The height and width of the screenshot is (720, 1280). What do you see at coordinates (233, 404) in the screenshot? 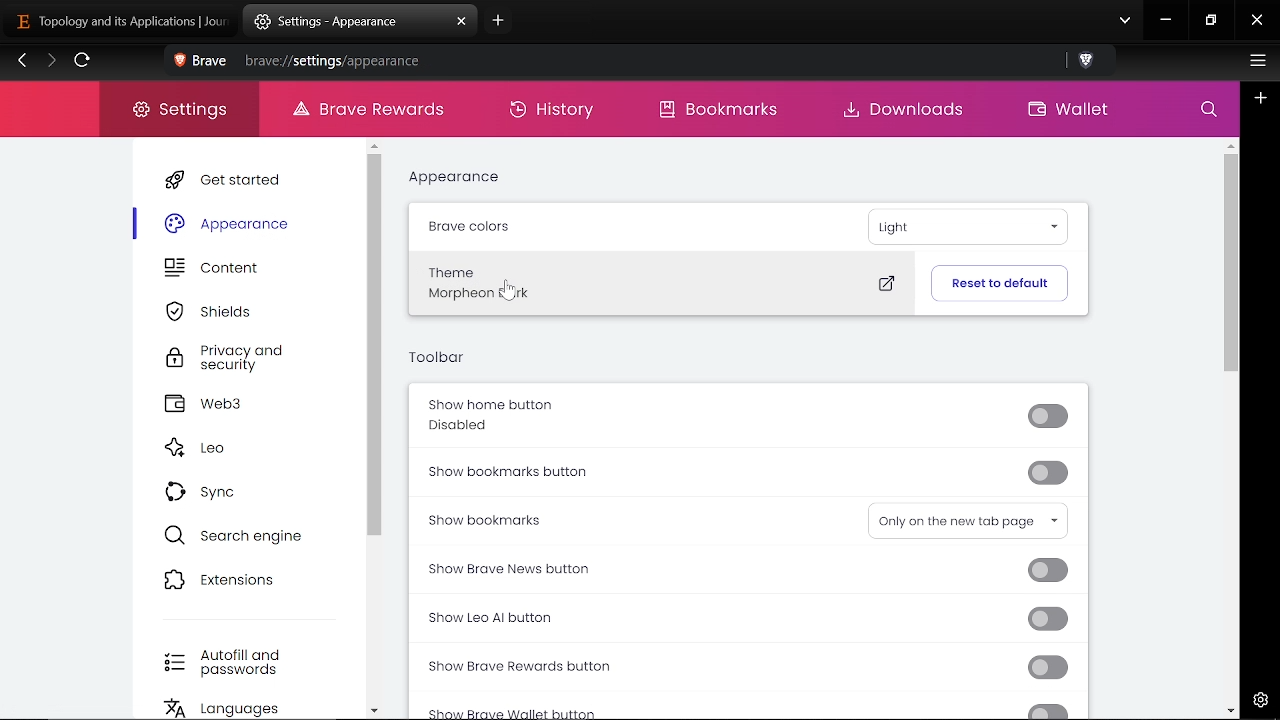
I see `Web3` at bounding box center [233, 404].